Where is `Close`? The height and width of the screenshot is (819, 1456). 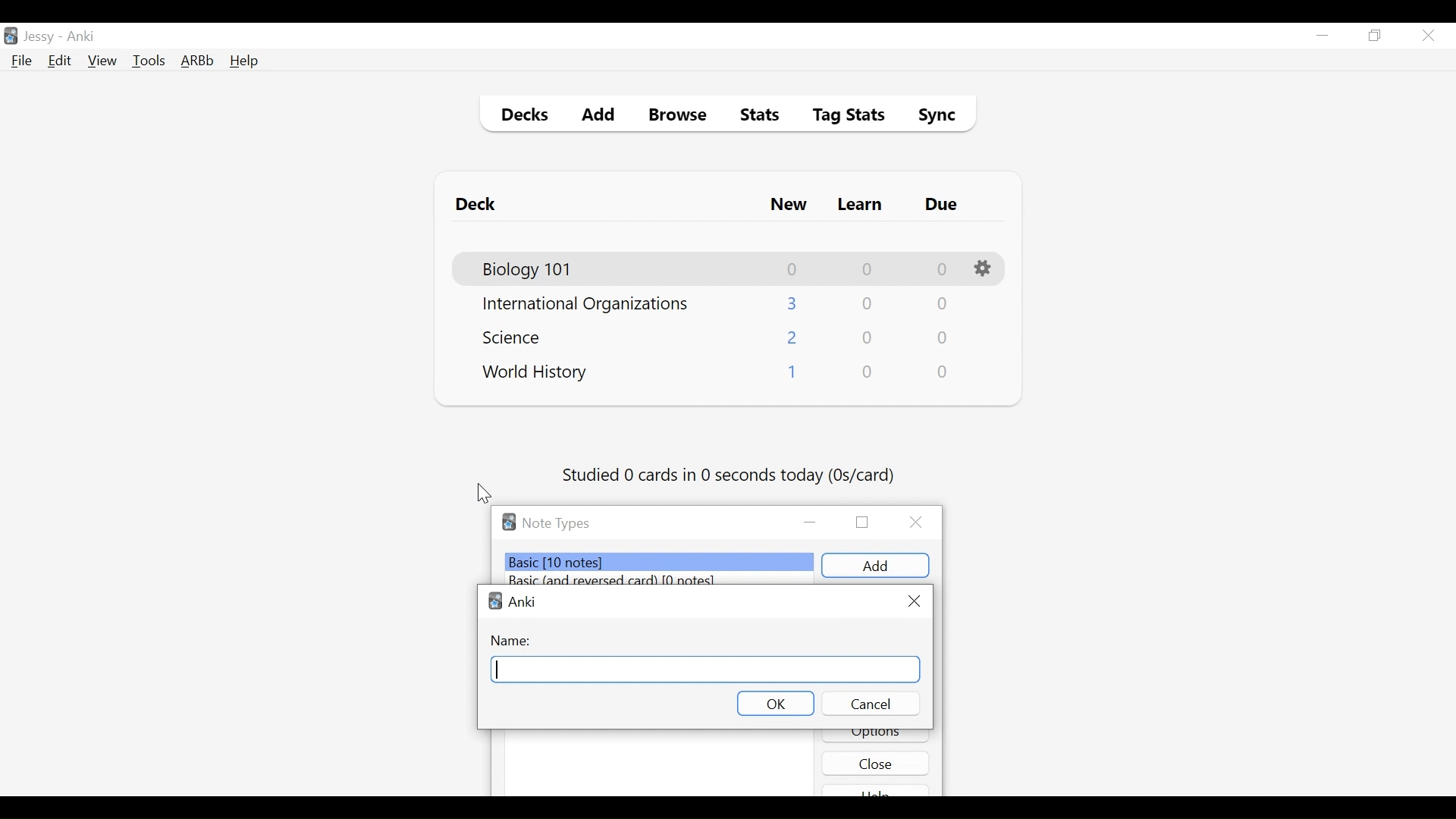
Close is located at coordinates (1428, 36).